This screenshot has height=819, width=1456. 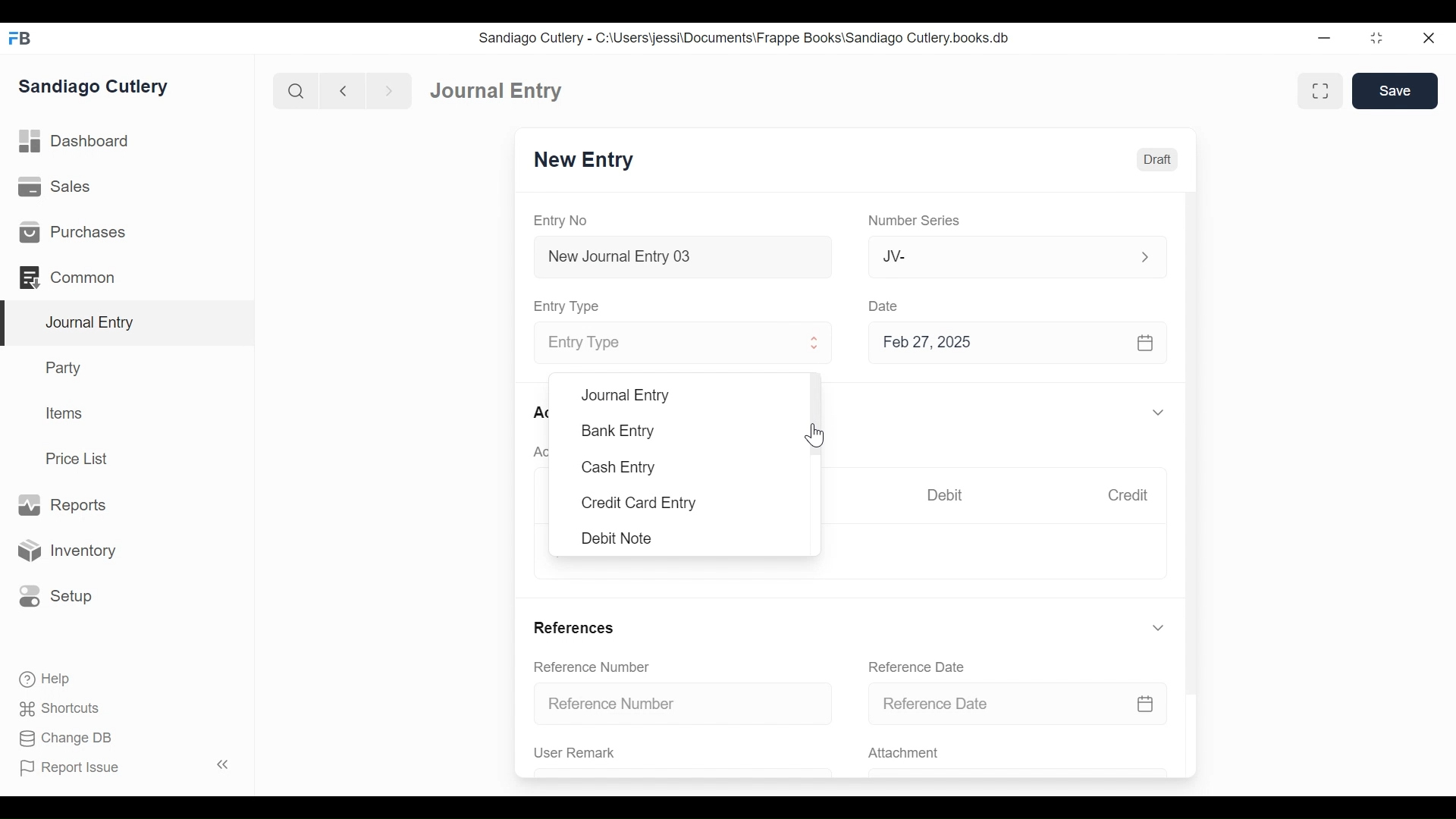 I want to click on Minimize, so click(x=1326, y=37).